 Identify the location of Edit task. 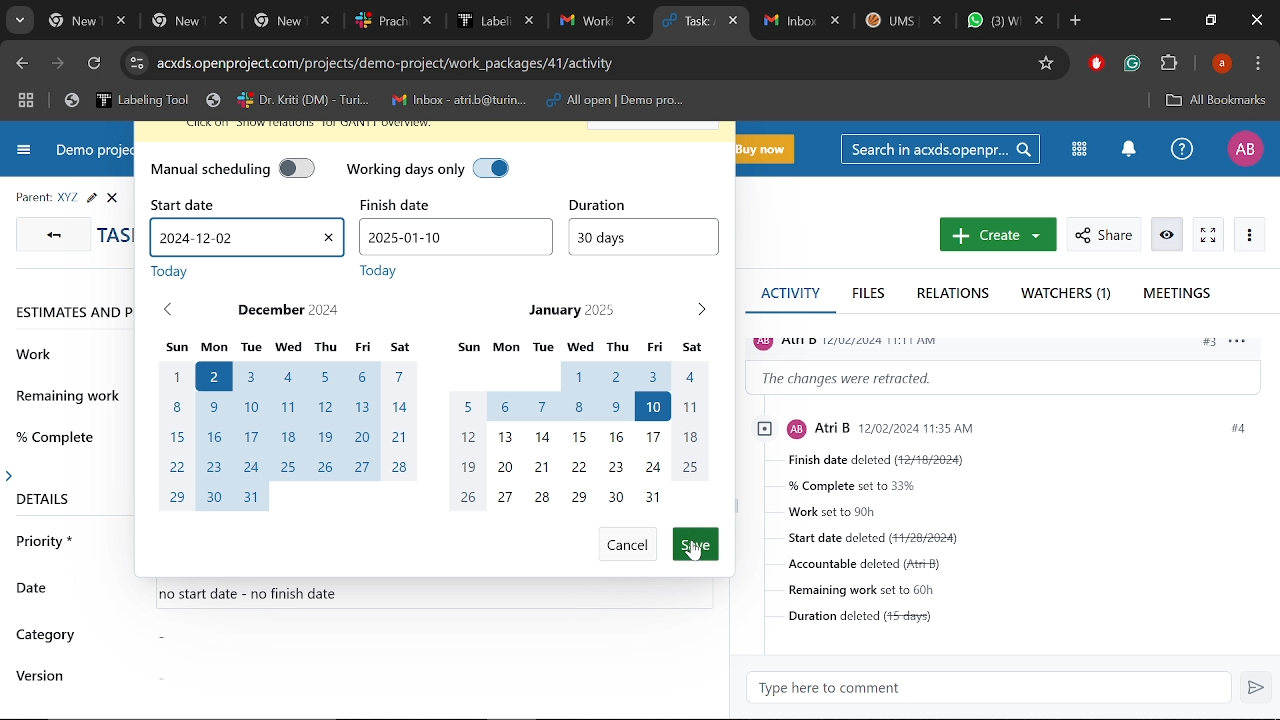
(91, 198).